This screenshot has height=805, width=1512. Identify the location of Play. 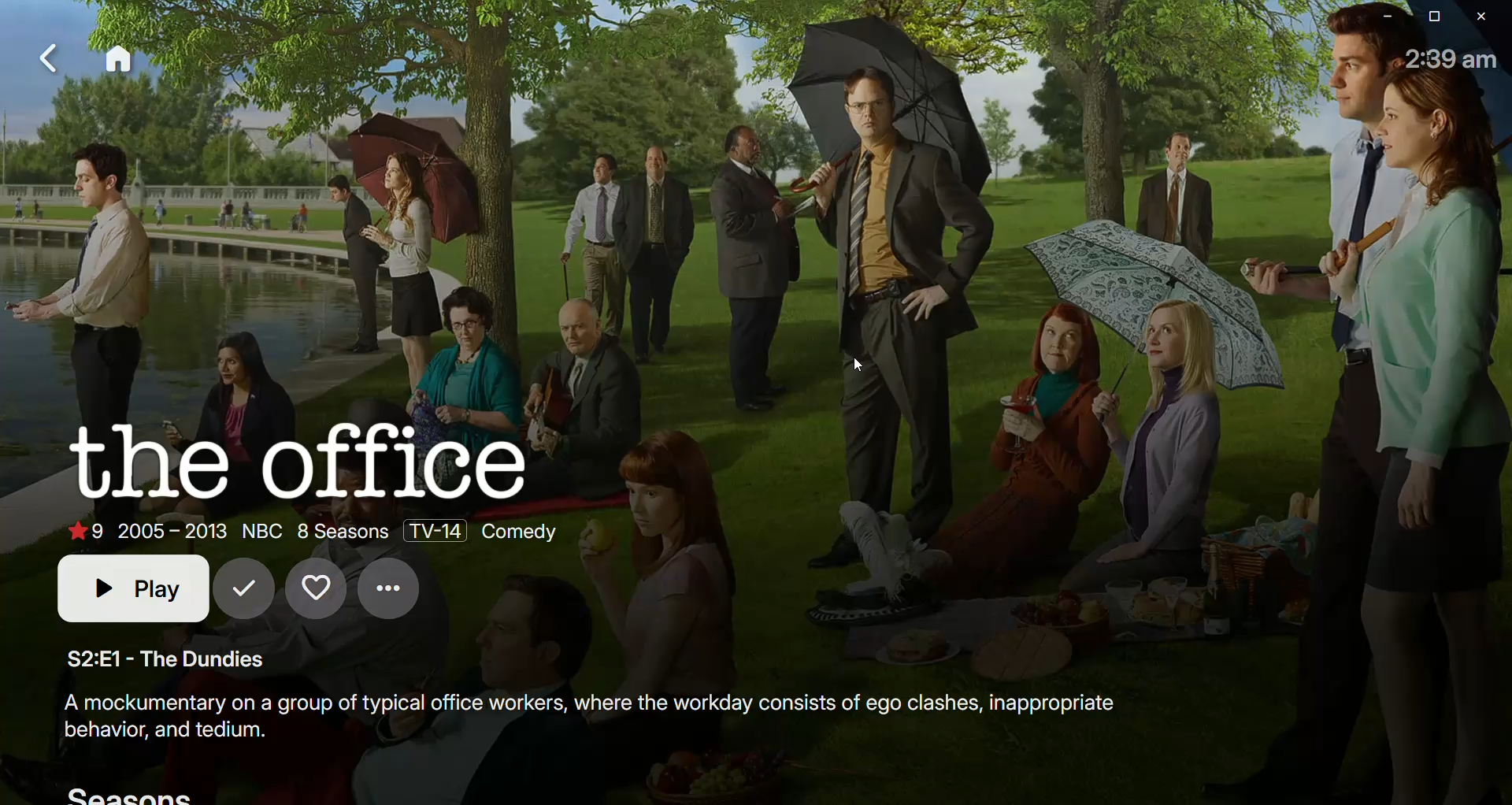
(132, 591).